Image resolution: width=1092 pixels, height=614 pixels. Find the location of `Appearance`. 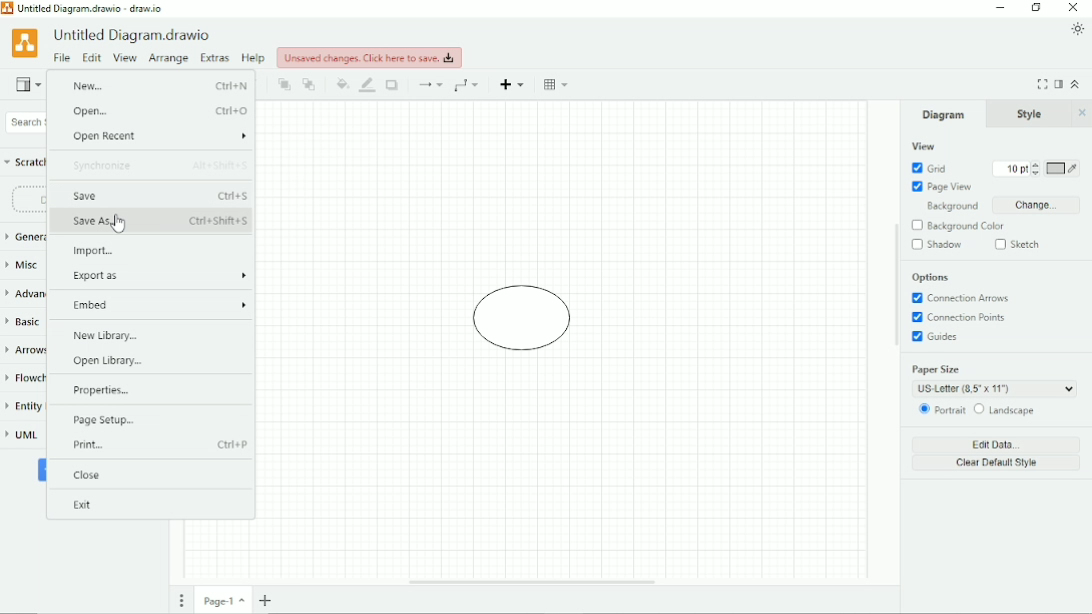

Appearance is located at coordinates (1078, 29).